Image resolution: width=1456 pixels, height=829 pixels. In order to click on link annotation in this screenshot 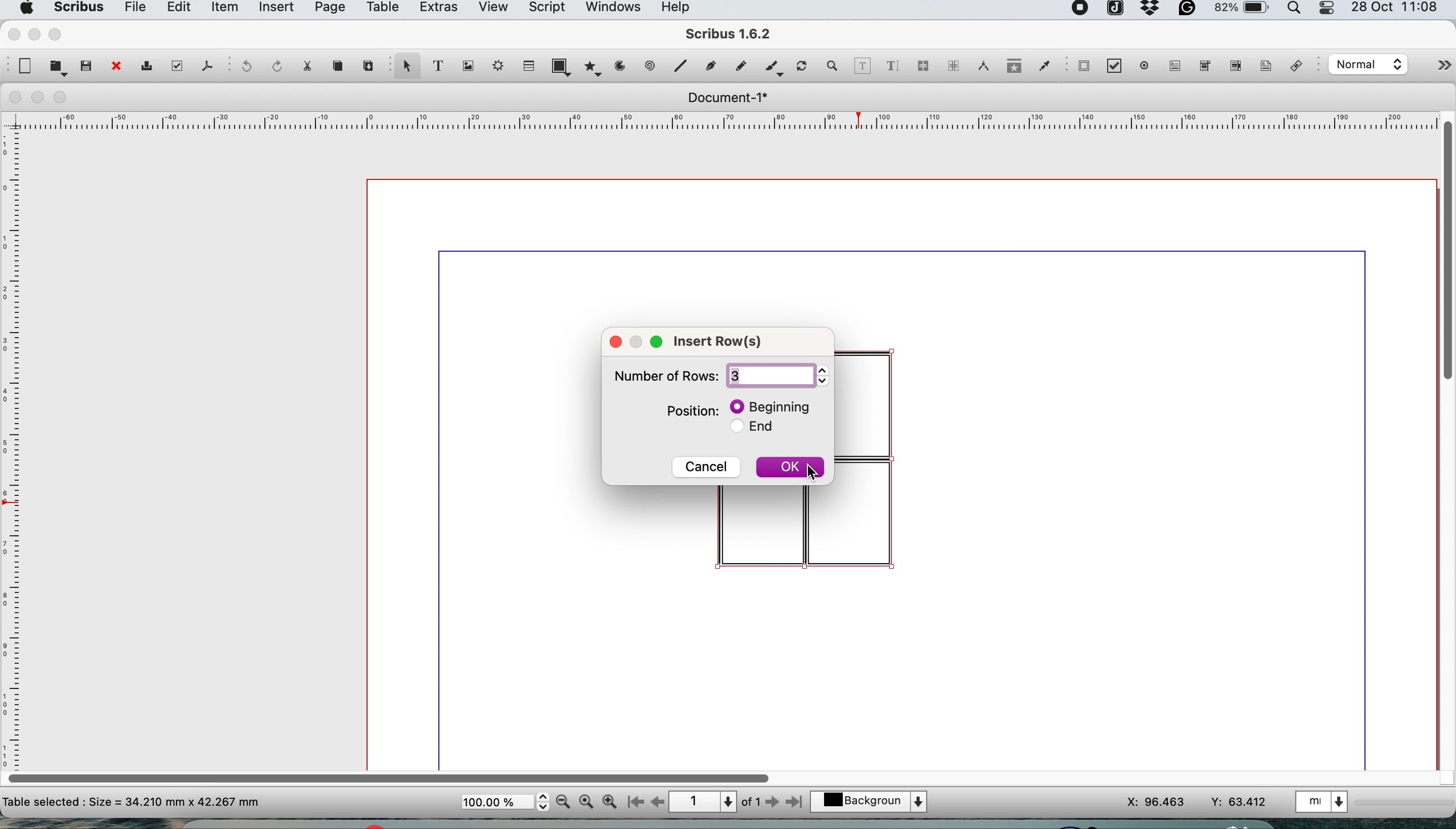, I will do `click(1299, 67)`.